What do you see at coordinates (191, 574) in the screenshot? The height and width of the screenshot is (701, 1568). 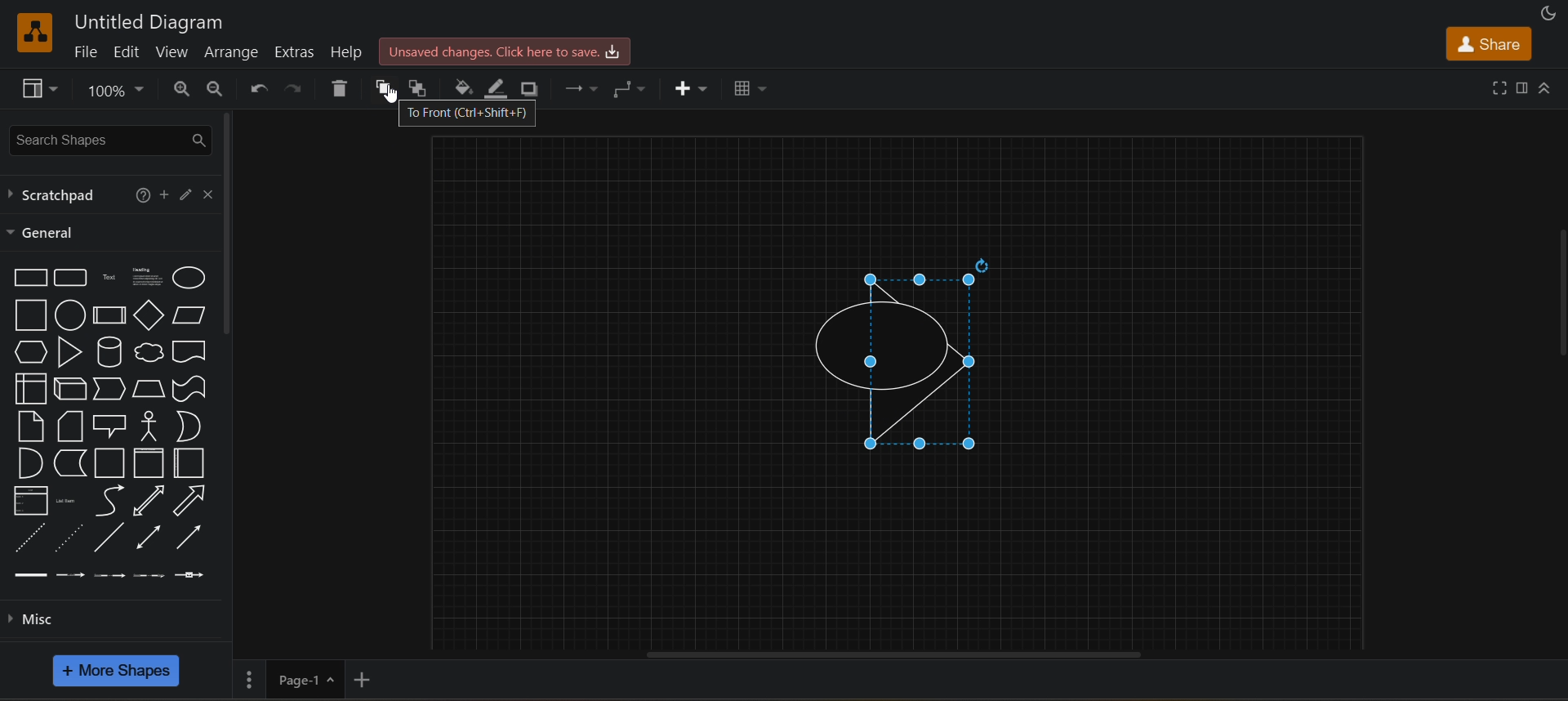 I see `connector with symbol` at bounding box center [191, 574].